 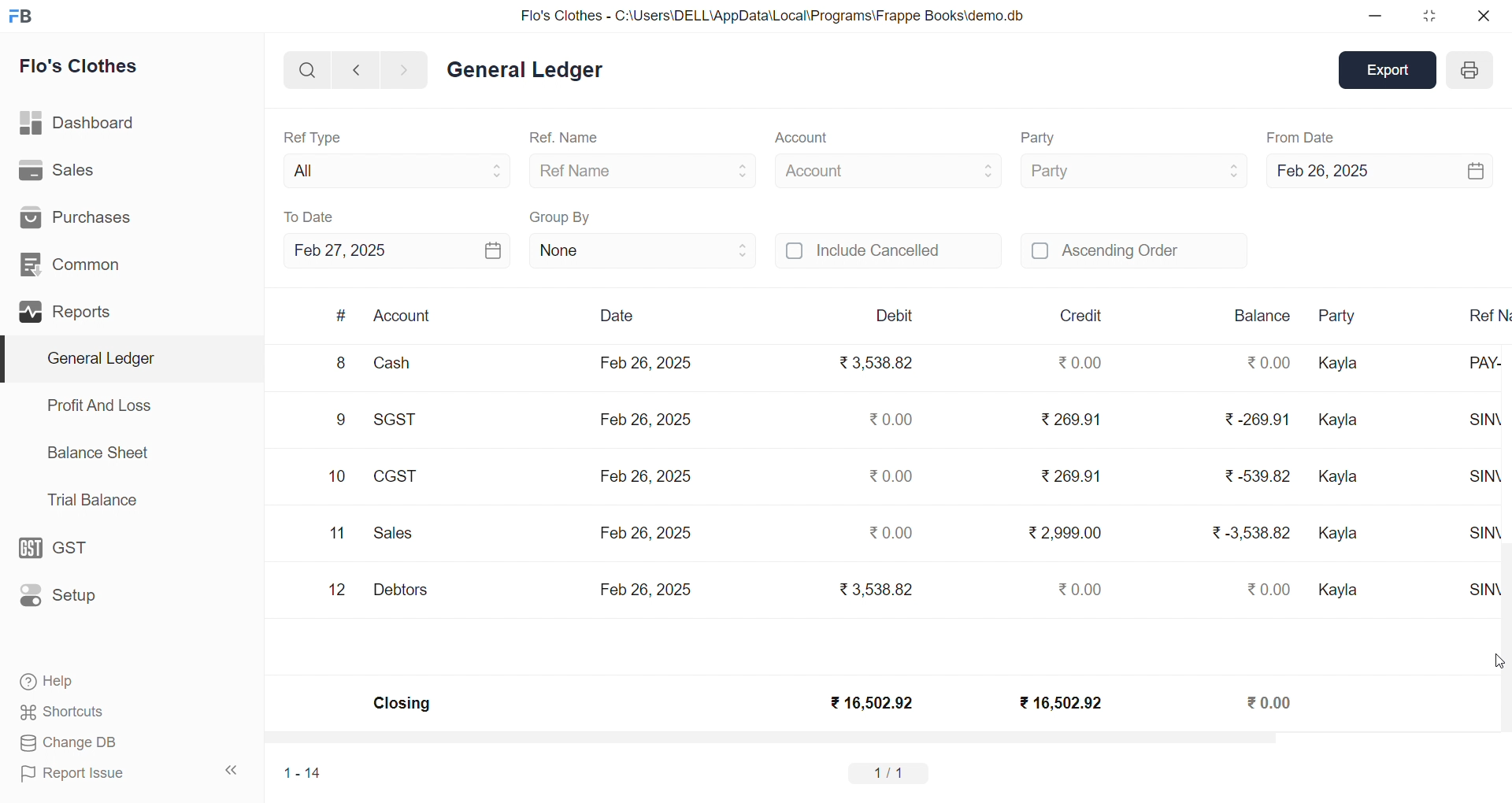 I want to click on General Ledger, so click(x=524, y=71).